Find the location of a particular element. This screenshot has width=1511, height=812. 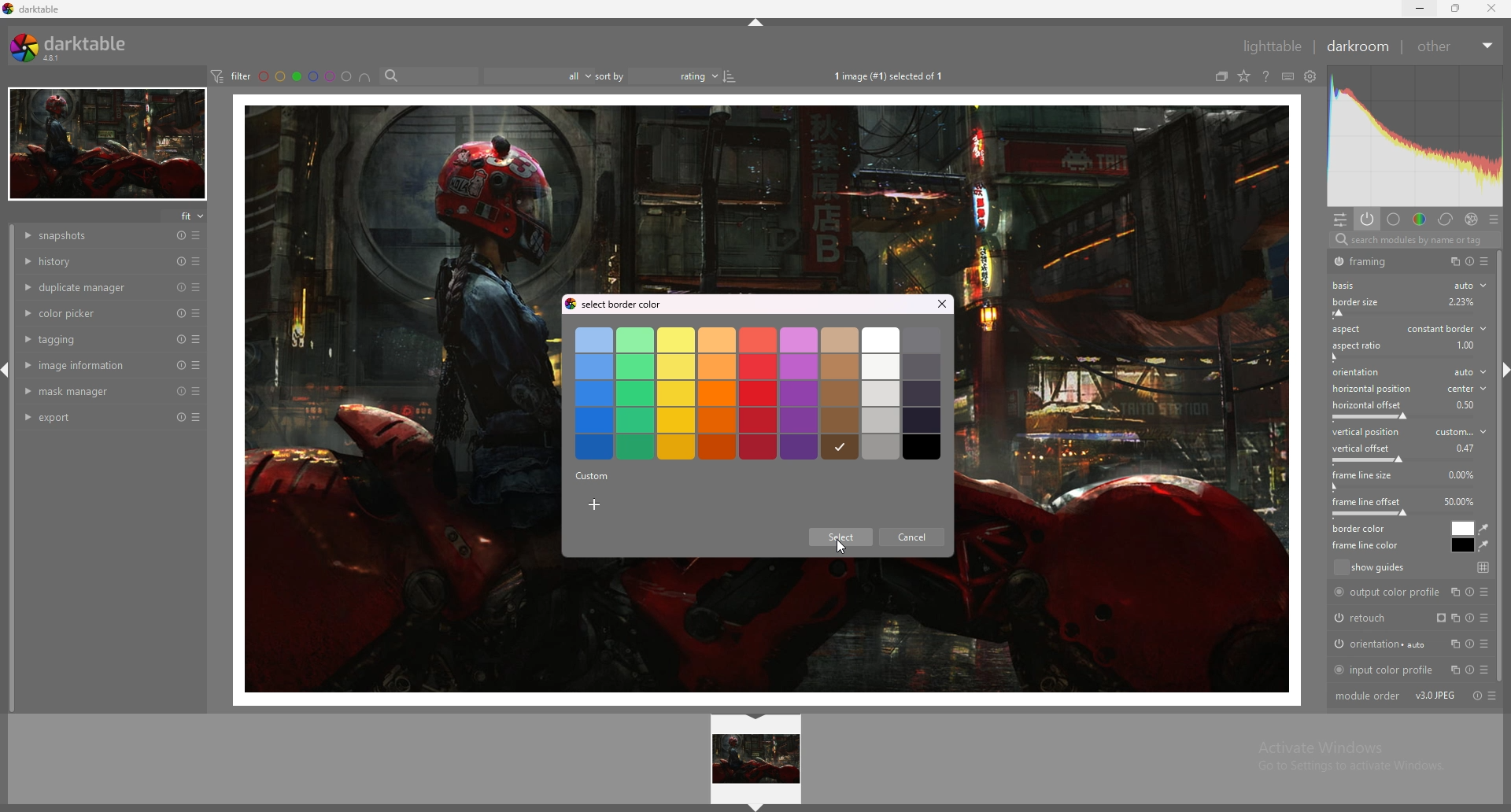

frame line offset is located at coordinates (1367, 501).